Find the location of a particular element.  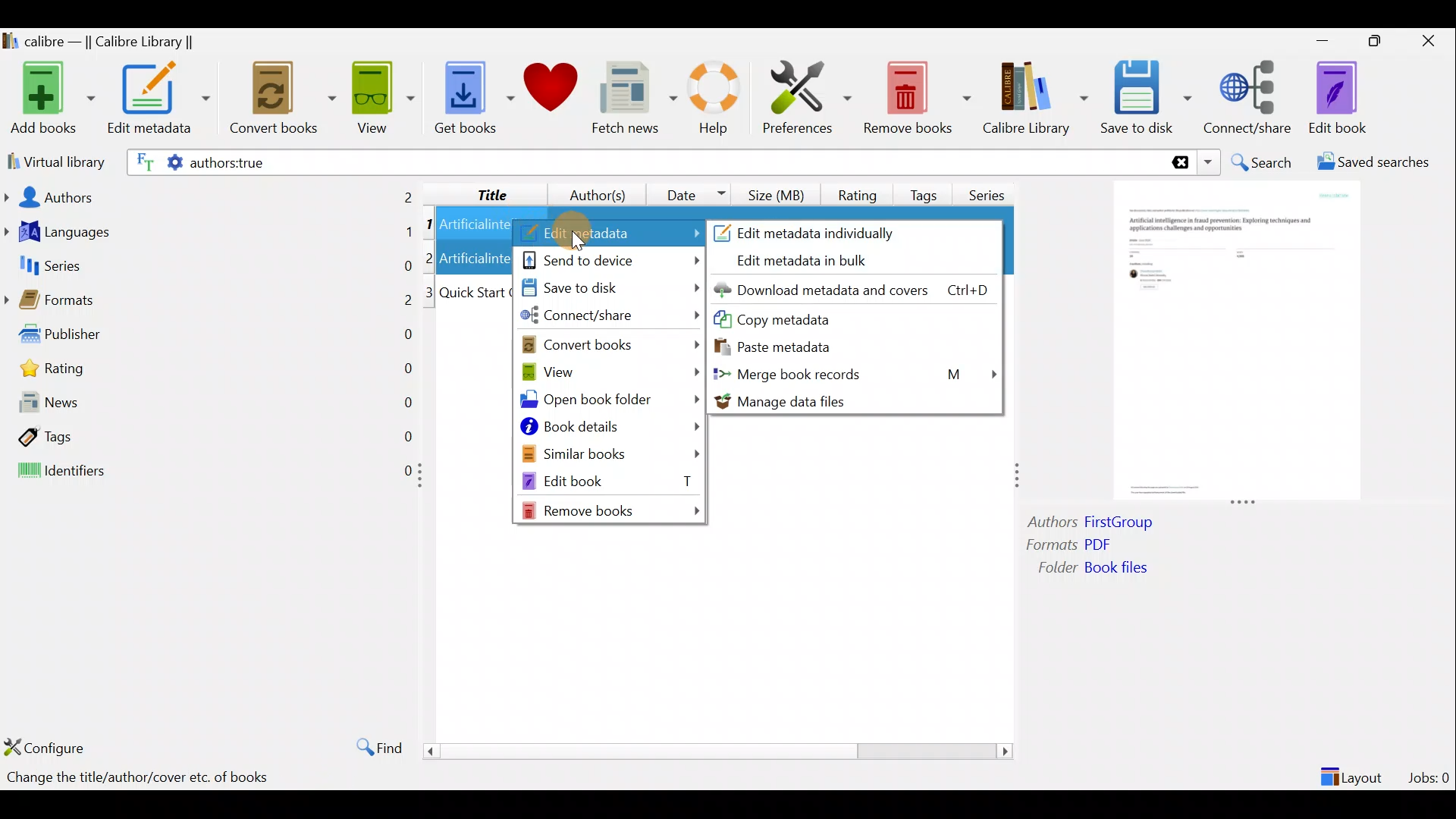

calibre — || Calibre Library || is located at coordinates (101, 42).